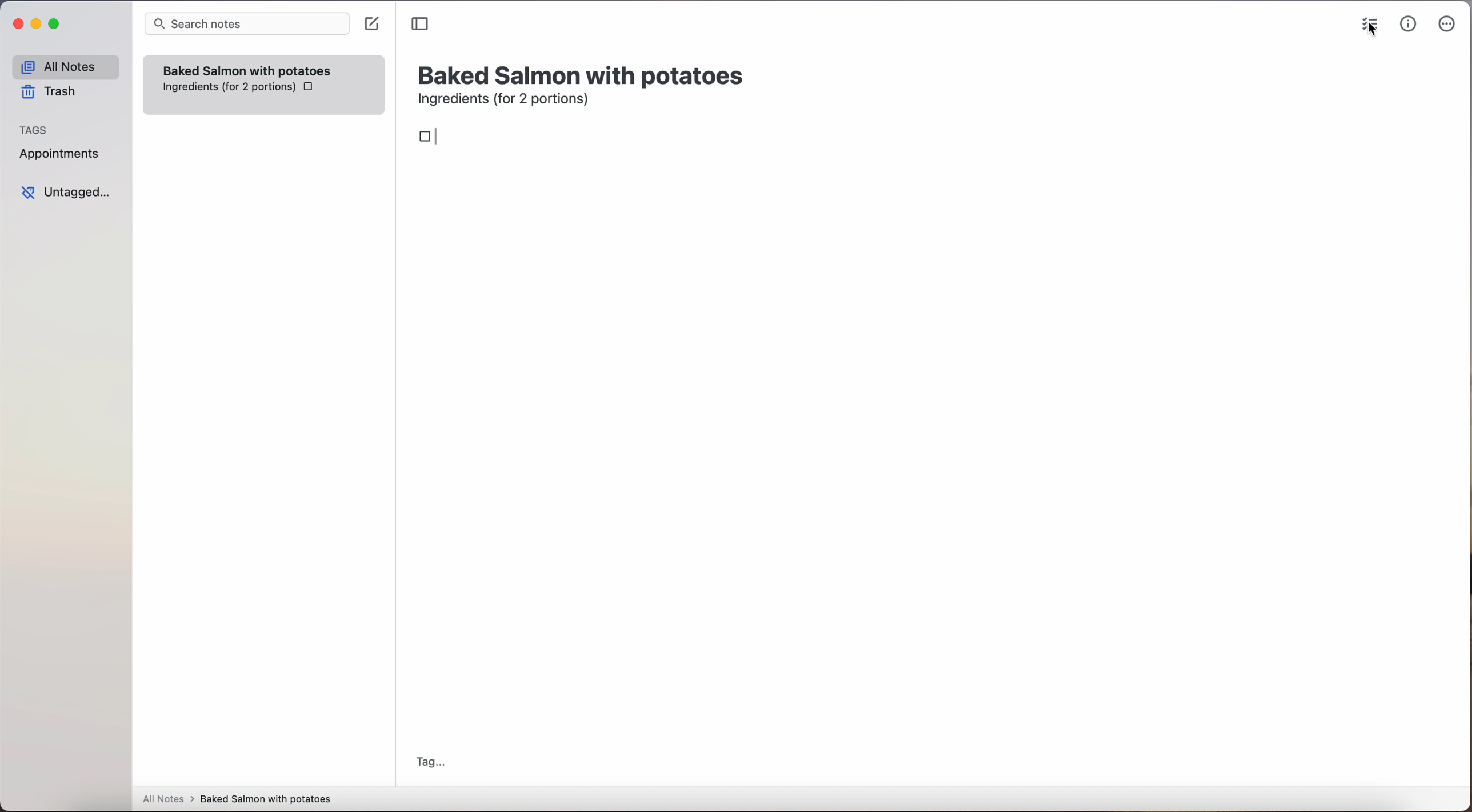 The height and width of the screenshot is (812, 1472). I want to click on untagged, so click(67, 192).